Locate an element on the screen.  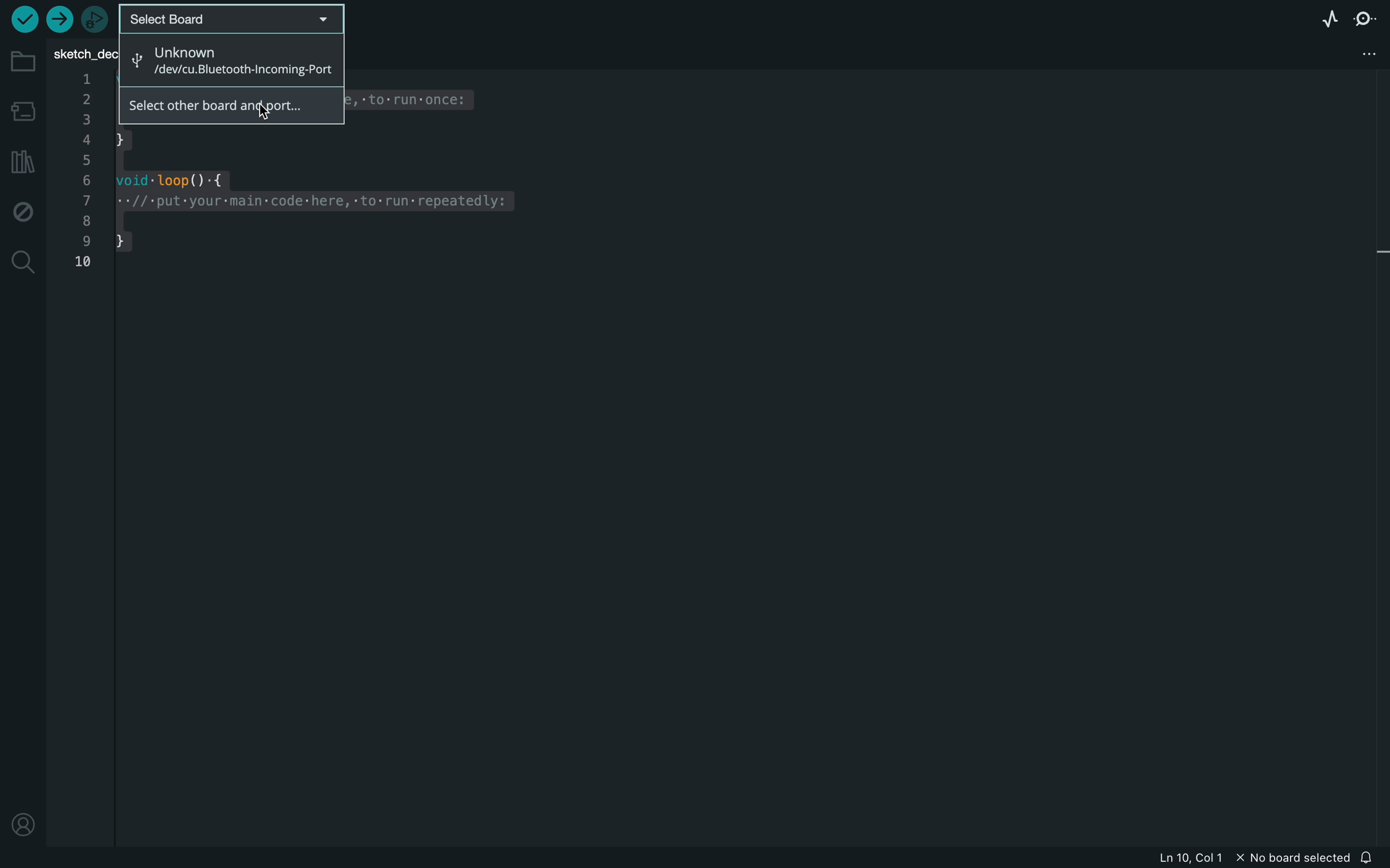
debug is located at coordinates (23, 209).